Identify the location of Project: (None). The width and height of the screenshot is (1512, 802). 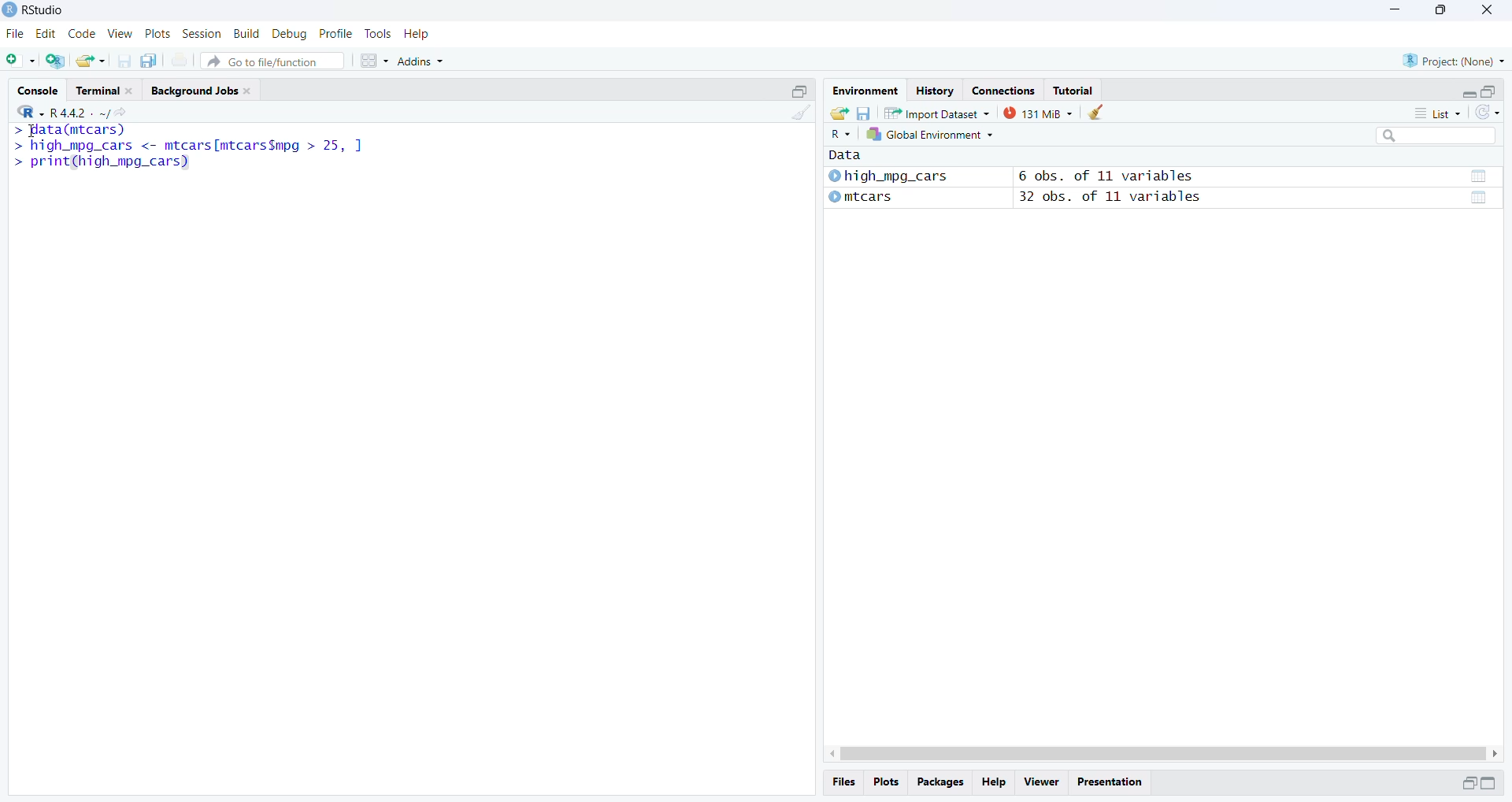
(1455, 60).